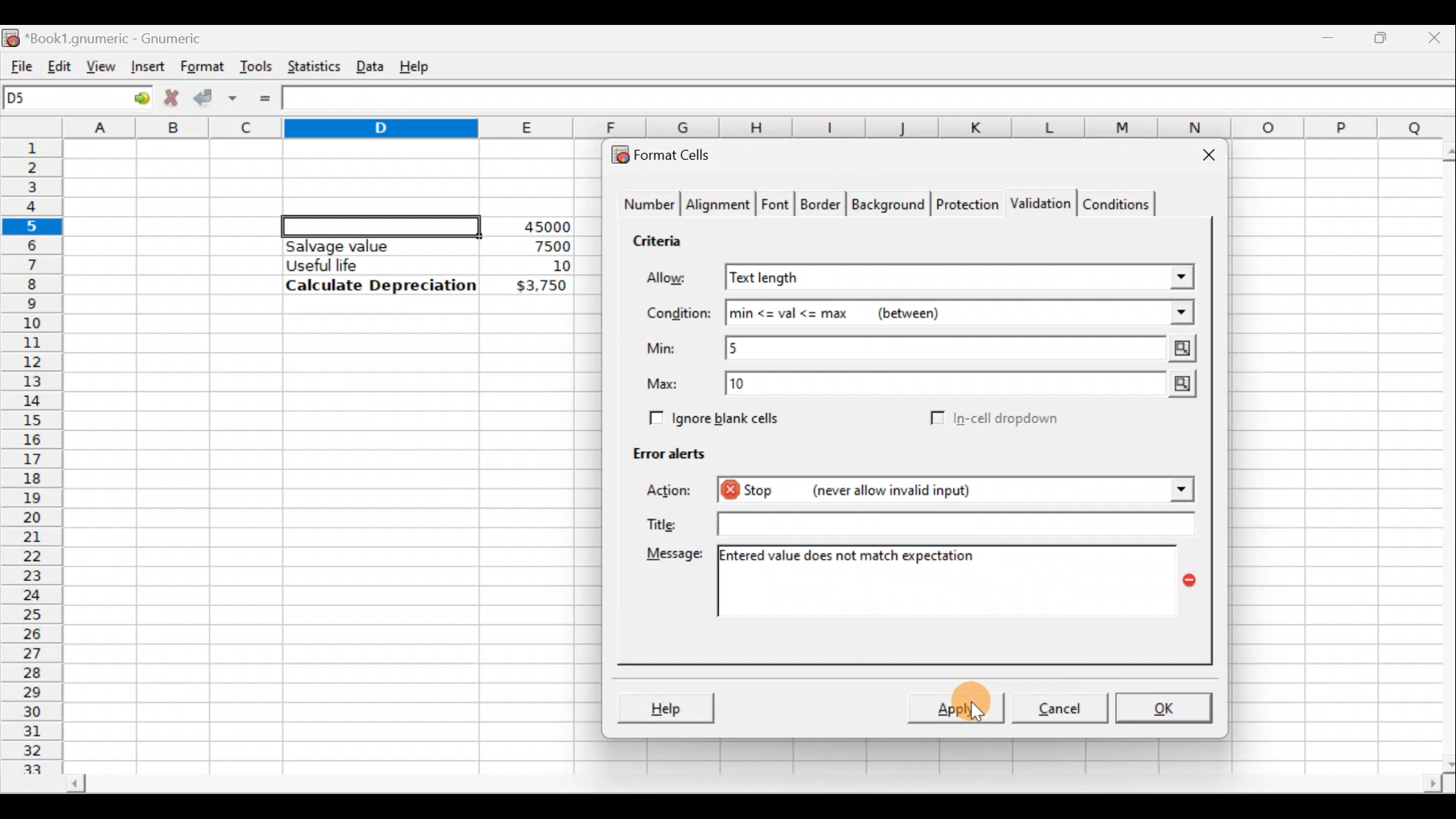 The width and height of the screenshot is (1456, 819). What do you see at coordinates (664, 348) in the screenshot?
I see `Min` at bounding box center [664, 348].